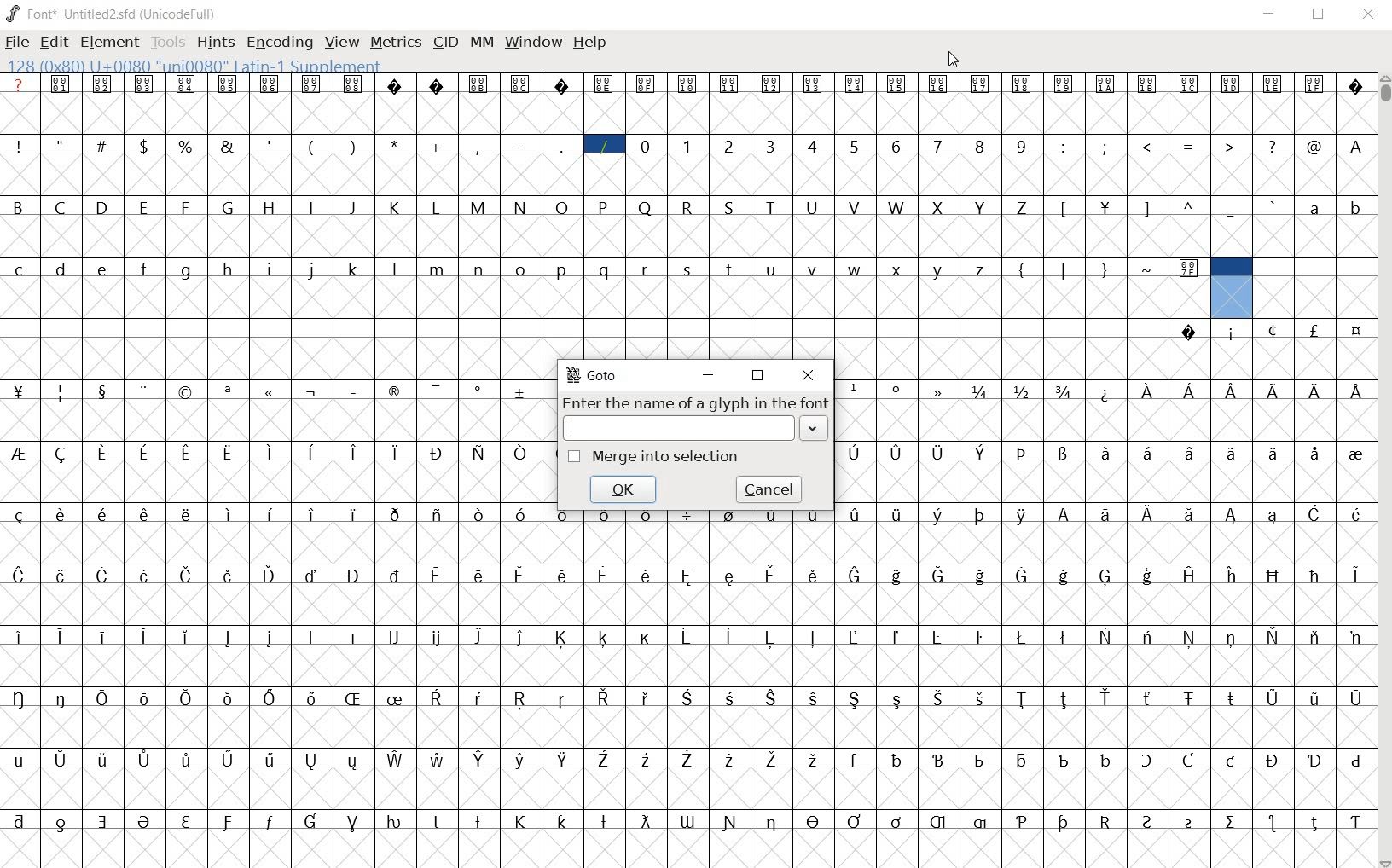  I want to click on , so click(1190, 758).